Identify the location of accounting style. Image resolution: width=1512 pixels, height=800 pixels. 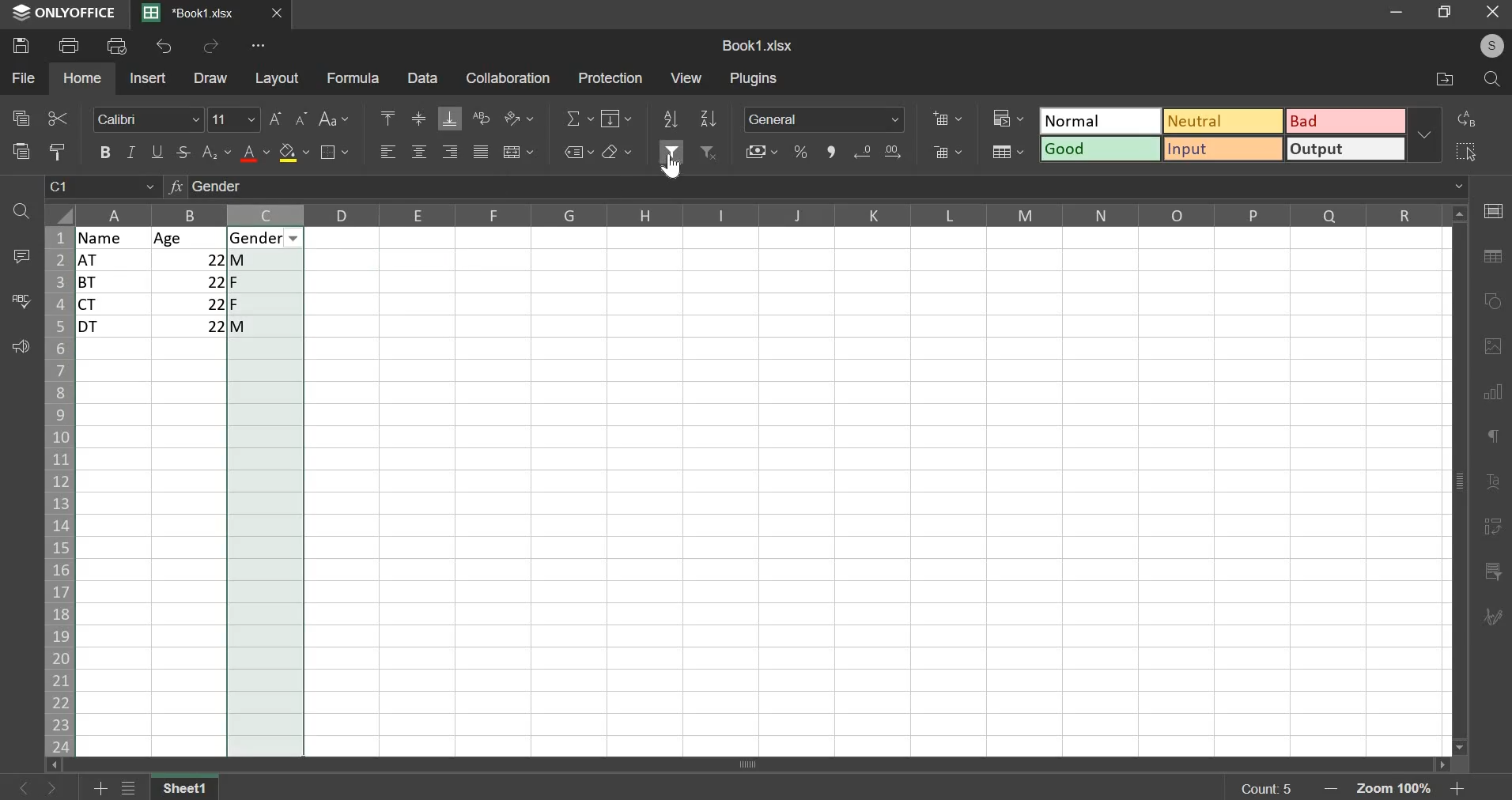
(763, 152).